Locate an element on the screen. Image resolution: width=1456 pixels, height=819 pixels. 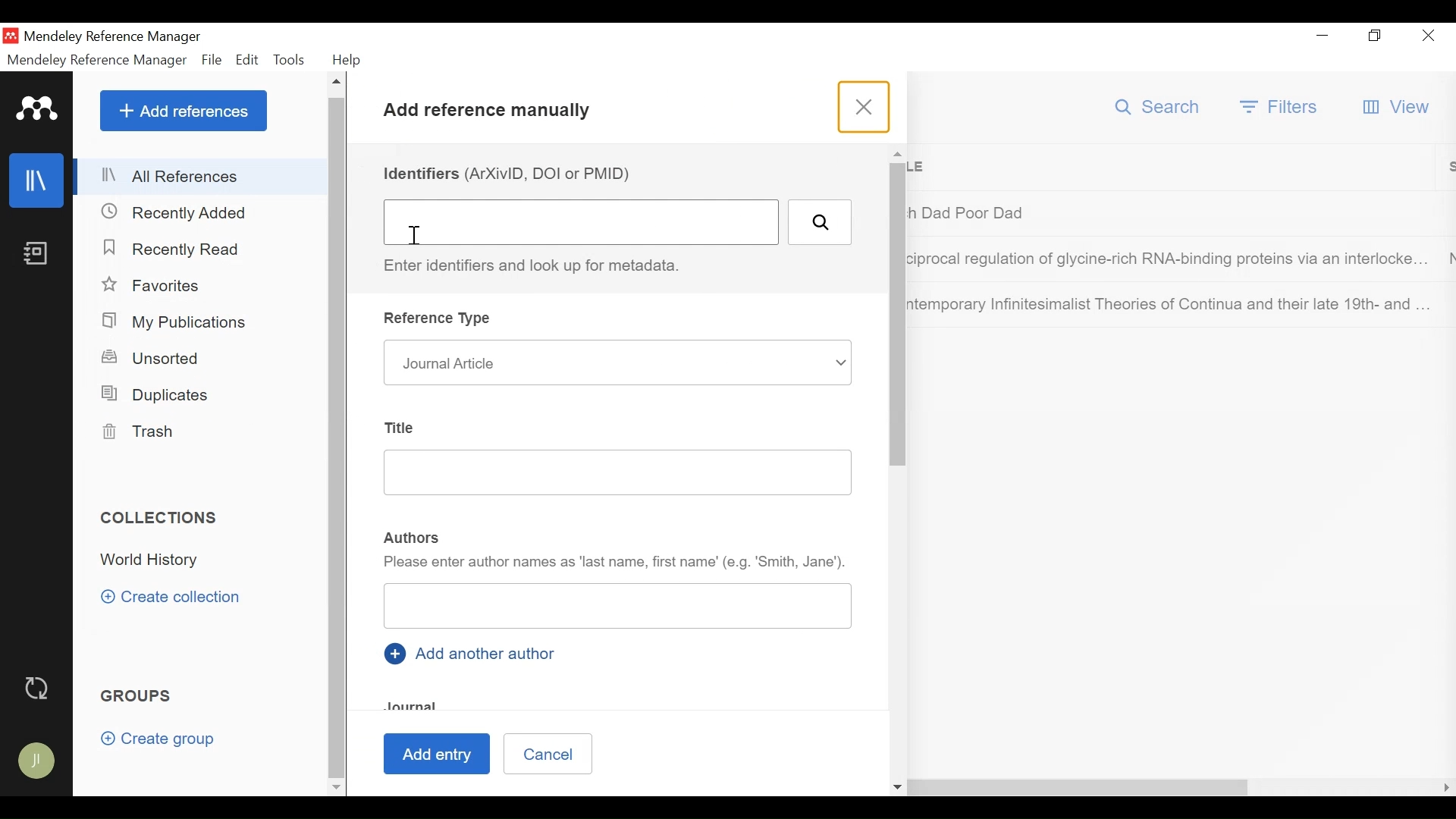
Scroll Right is located at coordinates (1447, 788).